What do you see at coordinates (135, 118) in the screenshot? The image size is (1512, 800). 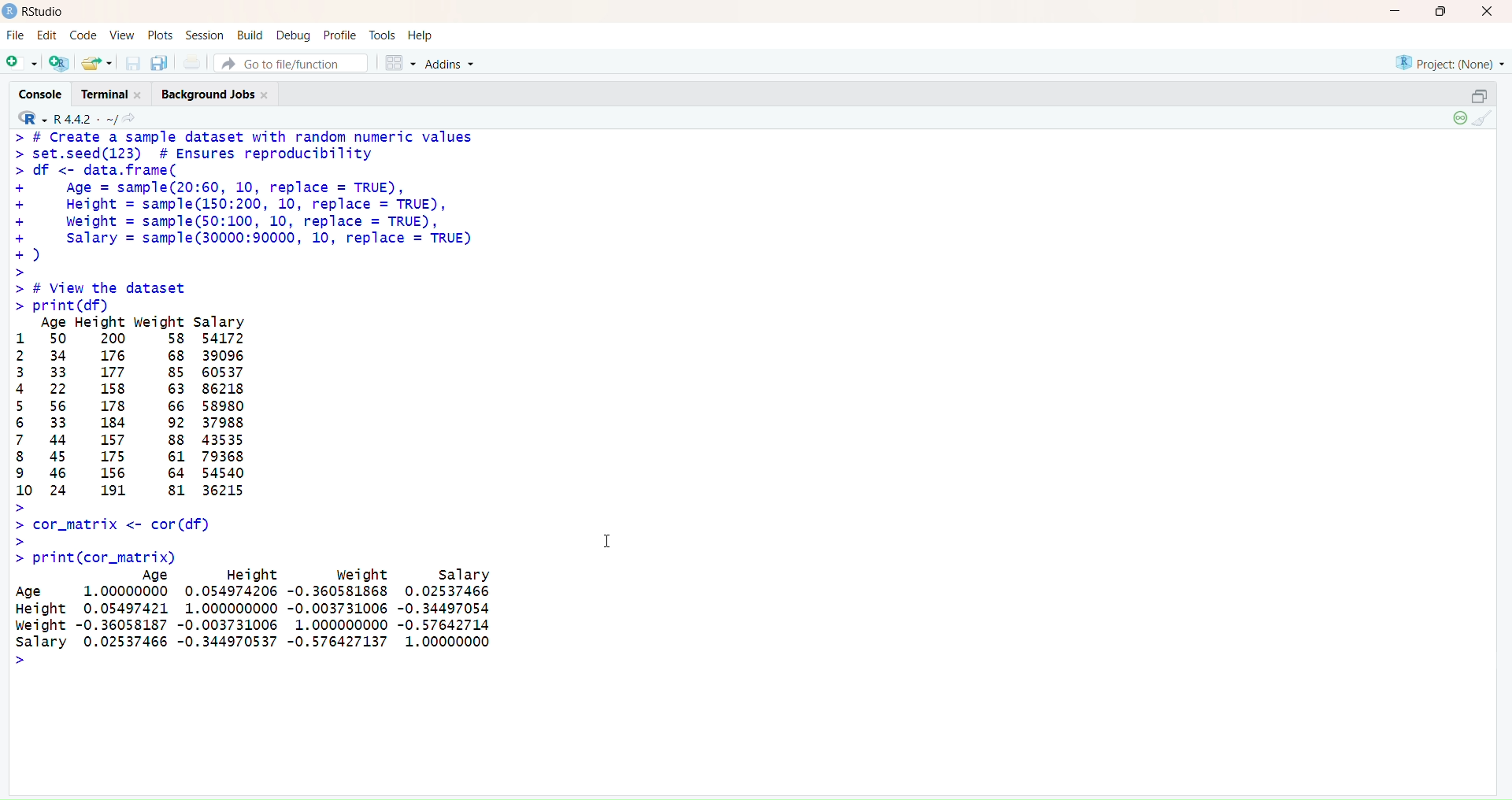 I see `Show in new window` at bounding box center [135, 118].